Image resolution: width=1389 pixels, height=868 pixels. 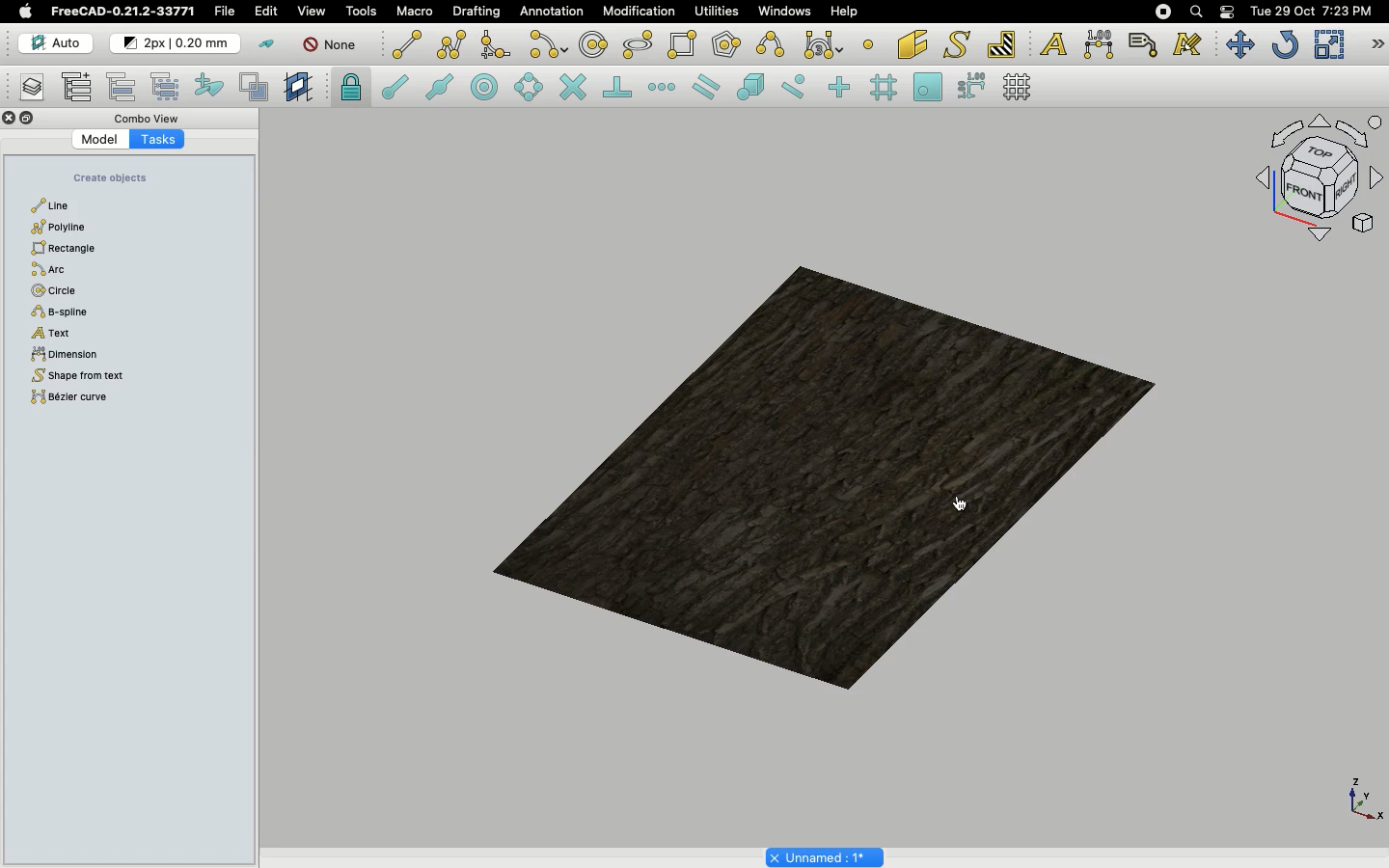 What do you see at coordinates (56, 287) in the screenshot?
I see `Circle` at bounding box center [56, 287].